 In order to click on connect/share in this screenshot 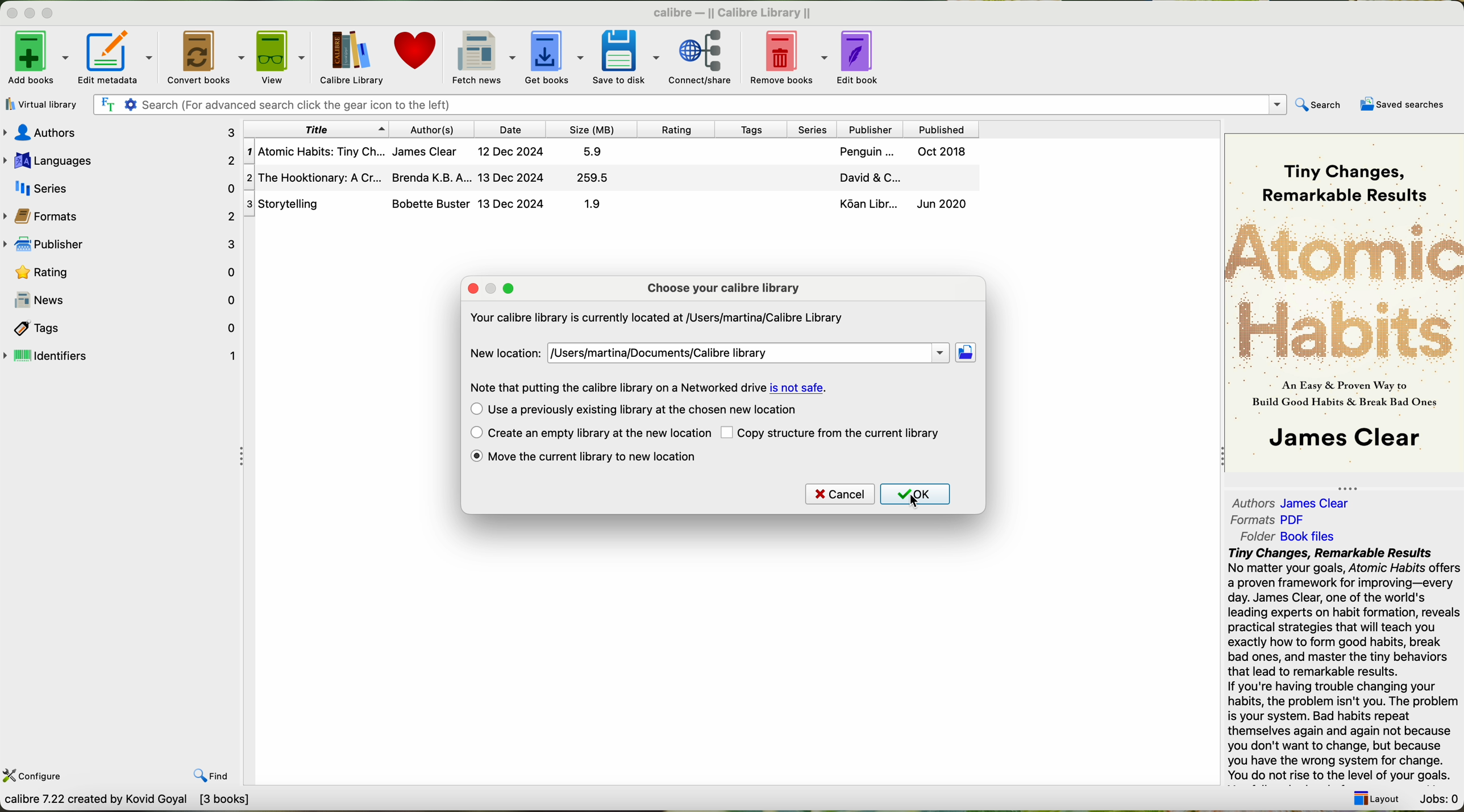, I will do `click(702, 57)`.